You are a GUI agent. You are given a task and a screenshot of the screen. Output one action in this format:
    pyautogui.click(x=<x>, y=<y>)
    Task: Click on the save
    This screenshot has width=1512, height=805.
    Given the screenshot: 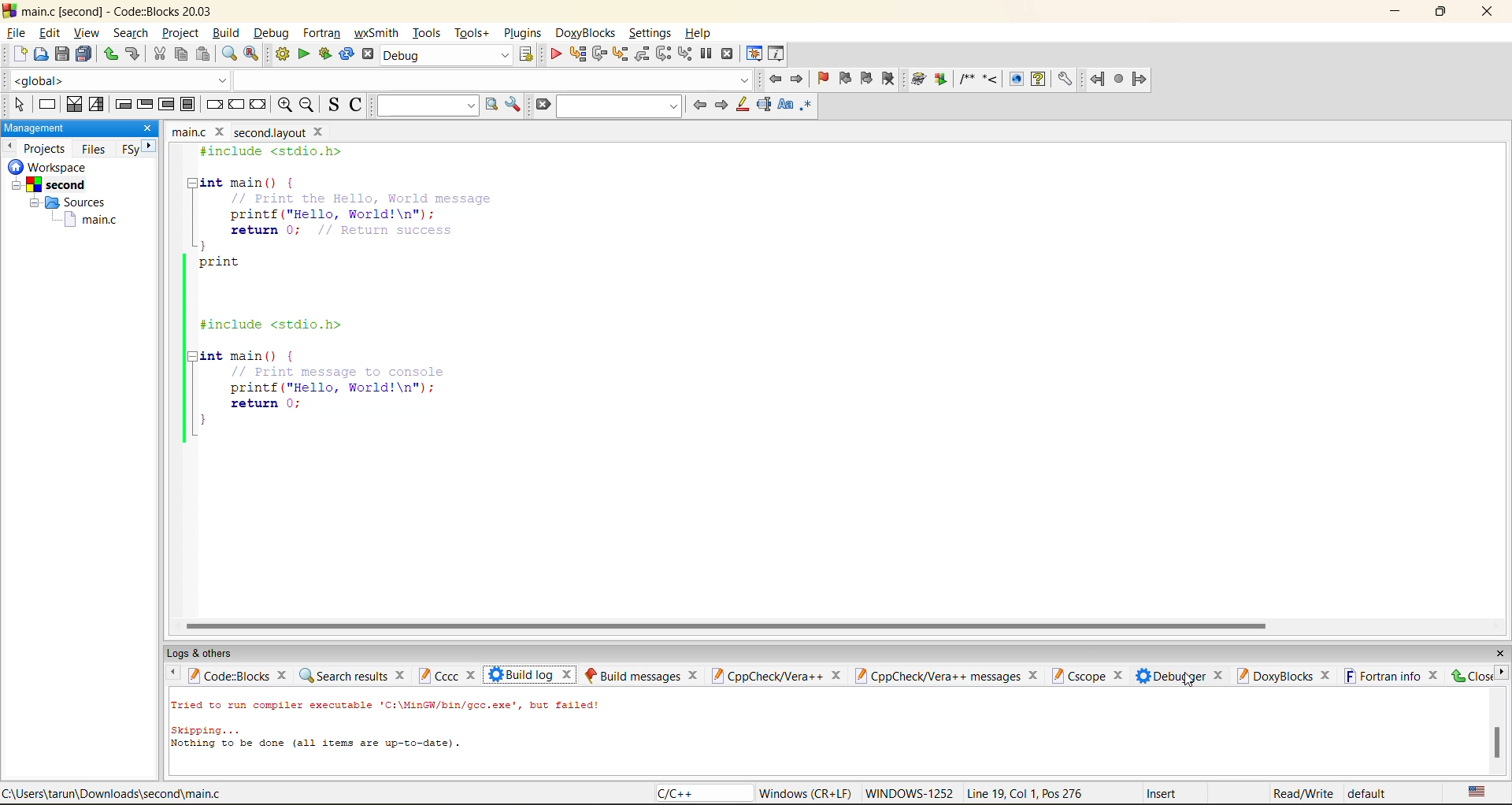 What is the action you would take?
    pyautogui.click(x=59, y=53)
    